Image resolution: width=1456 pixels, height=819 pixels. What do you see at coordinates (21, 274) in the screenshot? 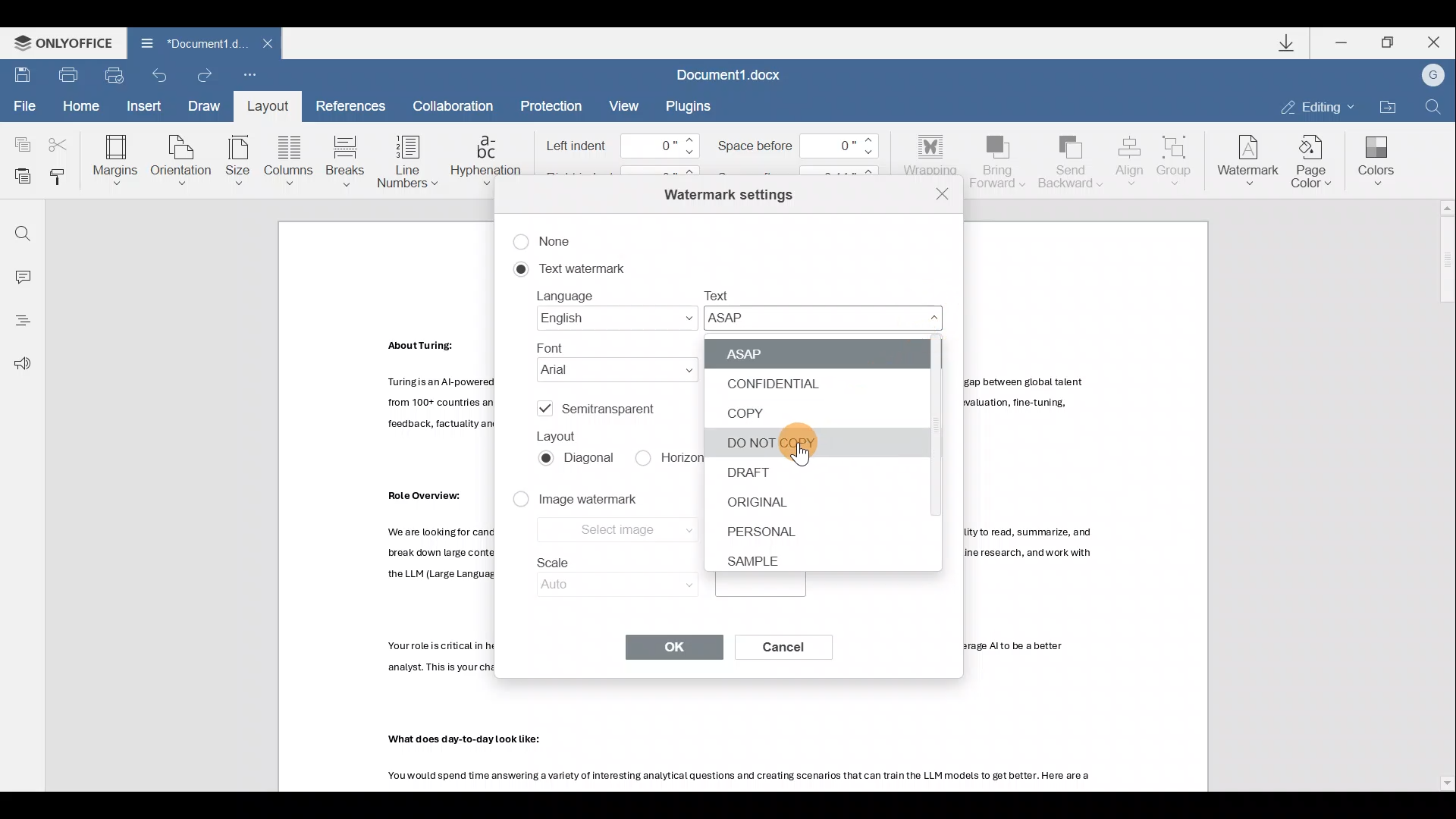
I see `Comment` at bounding box center [21, 274].